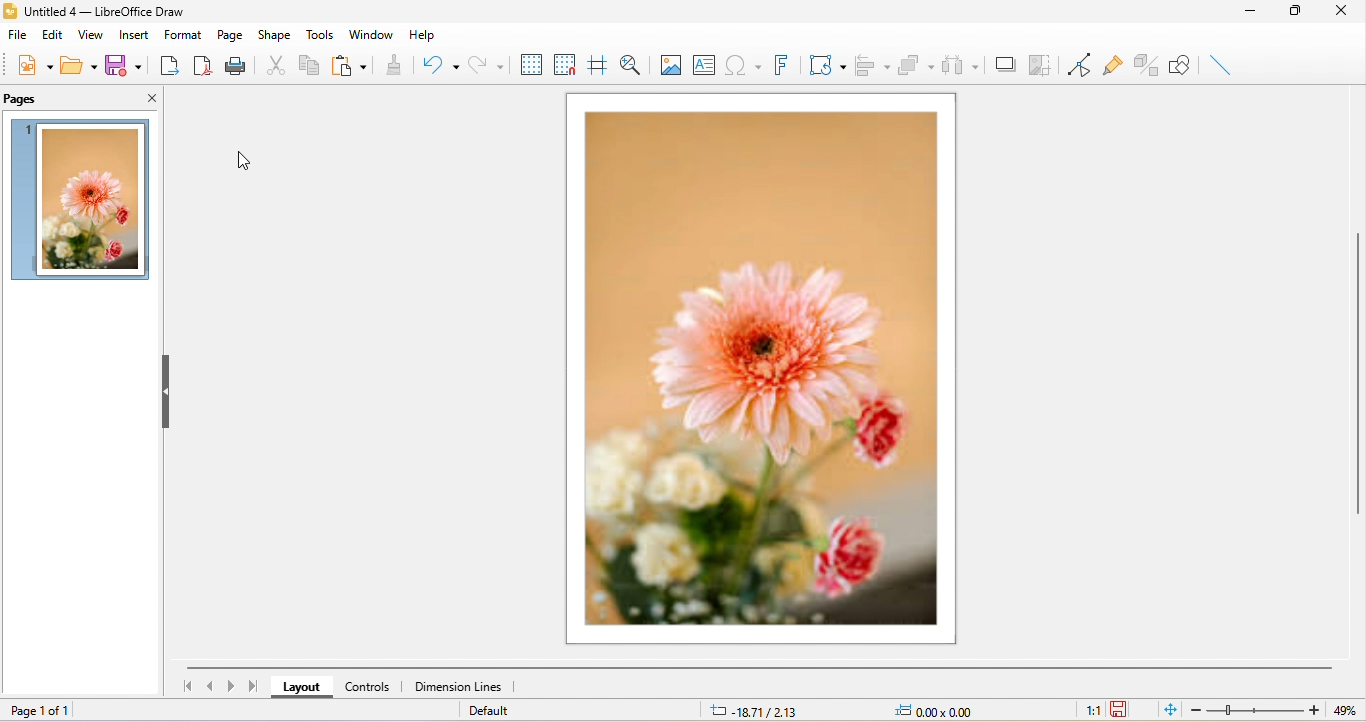 The width and height of the screenshot is (1366, 722). Describe the element at coordinates (1006, 68) in the screenshot. I see `shadow` at that location.